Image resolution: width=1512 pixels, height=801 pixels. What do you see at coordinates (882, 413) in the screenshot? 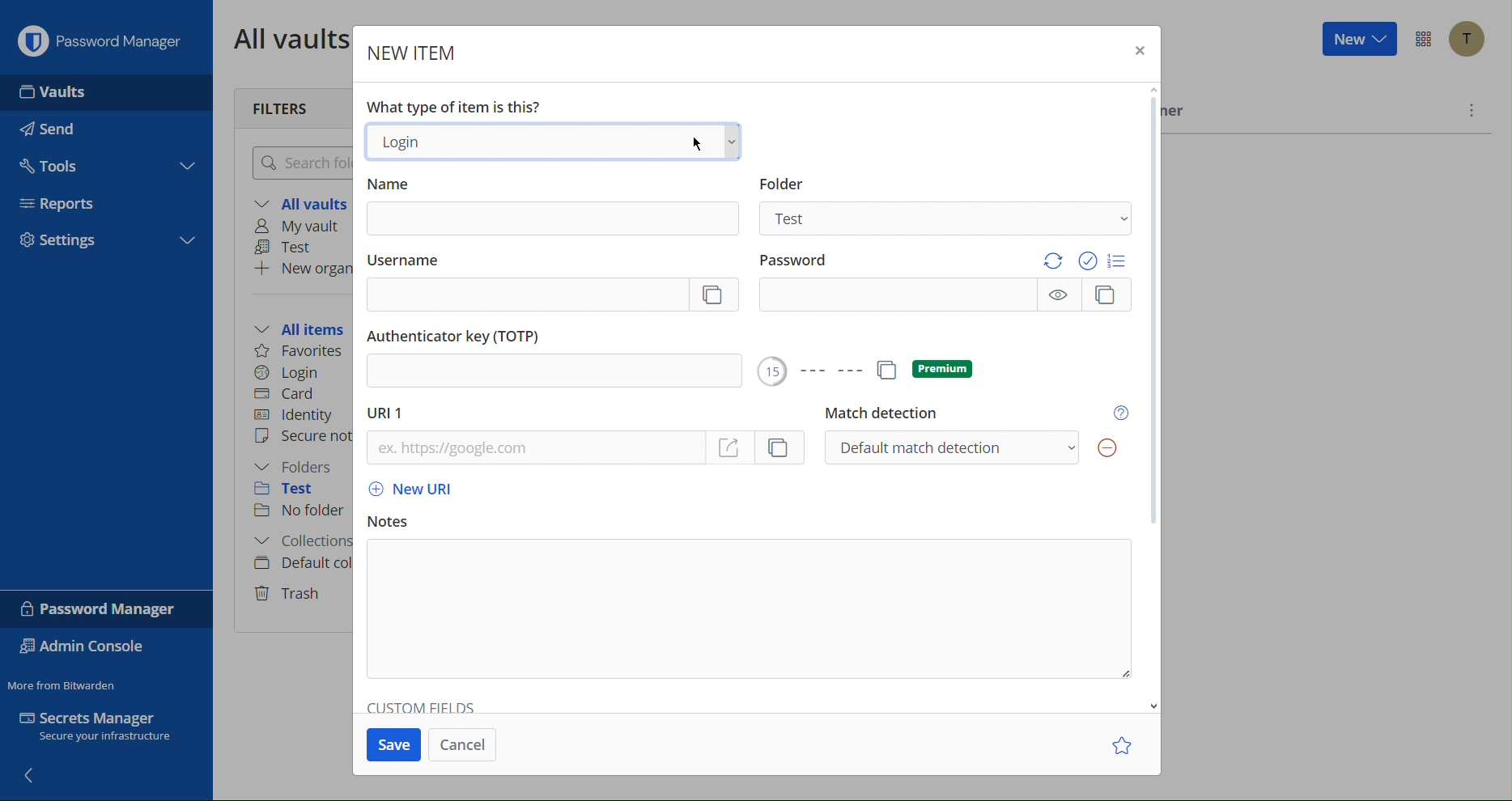
I see `Match detection` at bounding box center [882, 413].